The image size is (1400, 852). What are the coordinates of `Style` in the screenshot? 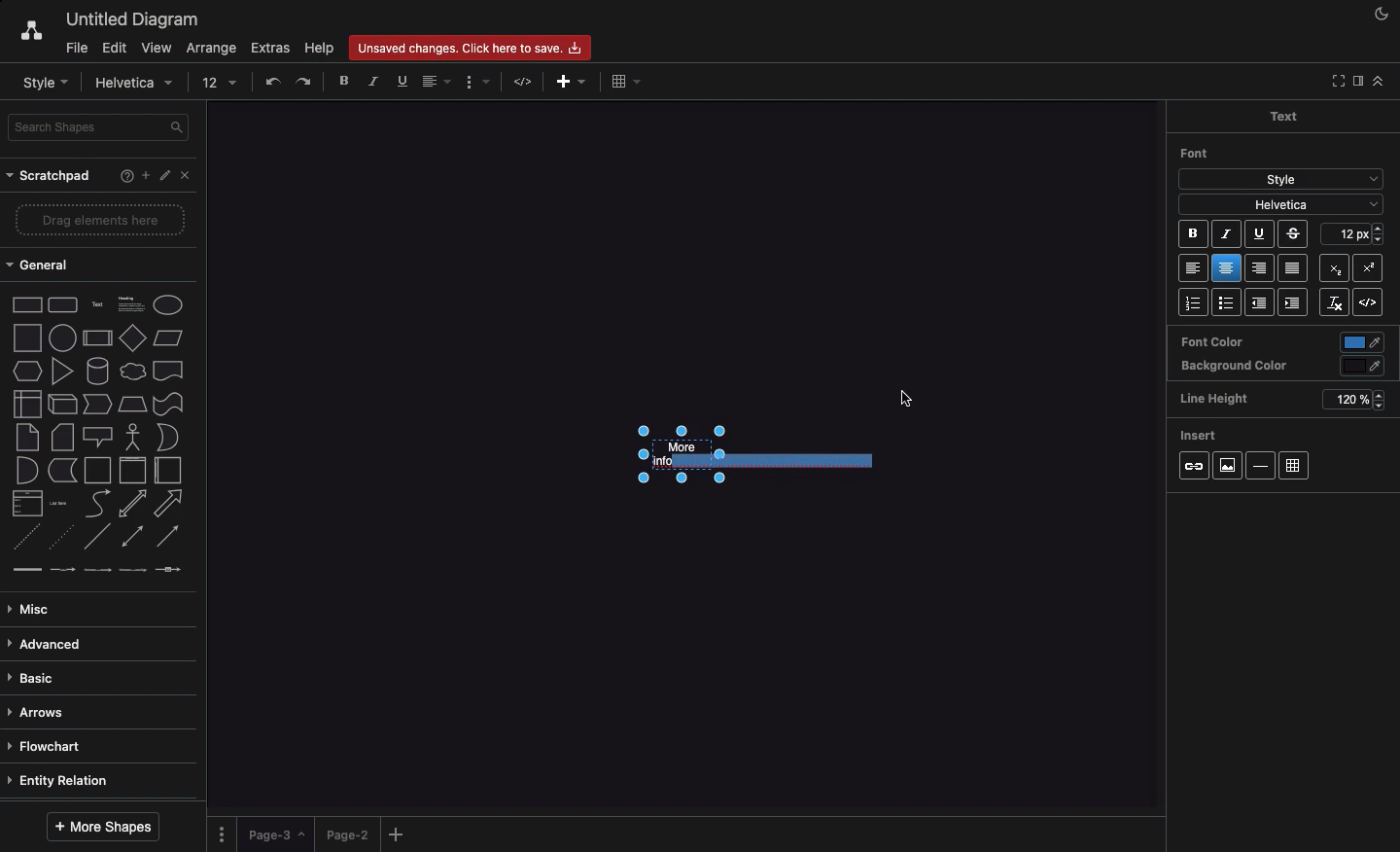 It's located at (45, 82).